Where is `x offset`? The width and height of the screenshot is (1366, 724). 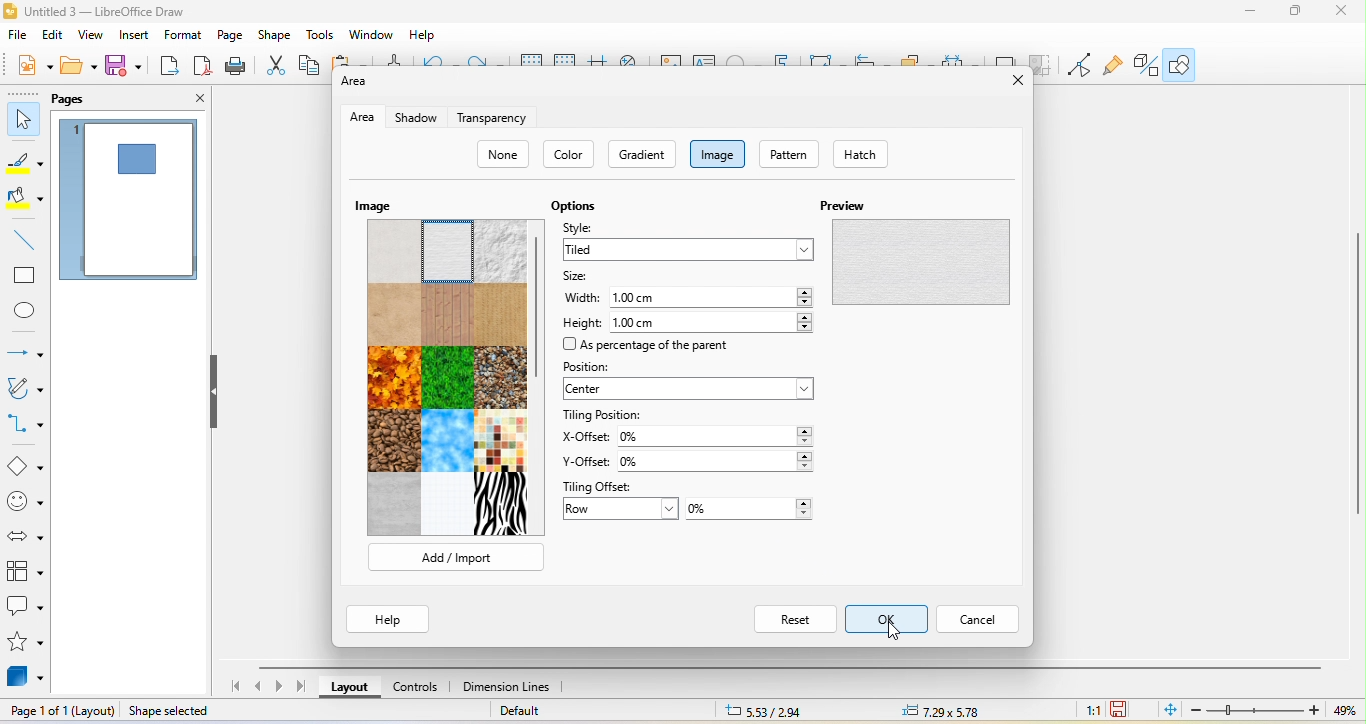 x offset is located at coordinates (585, 438).